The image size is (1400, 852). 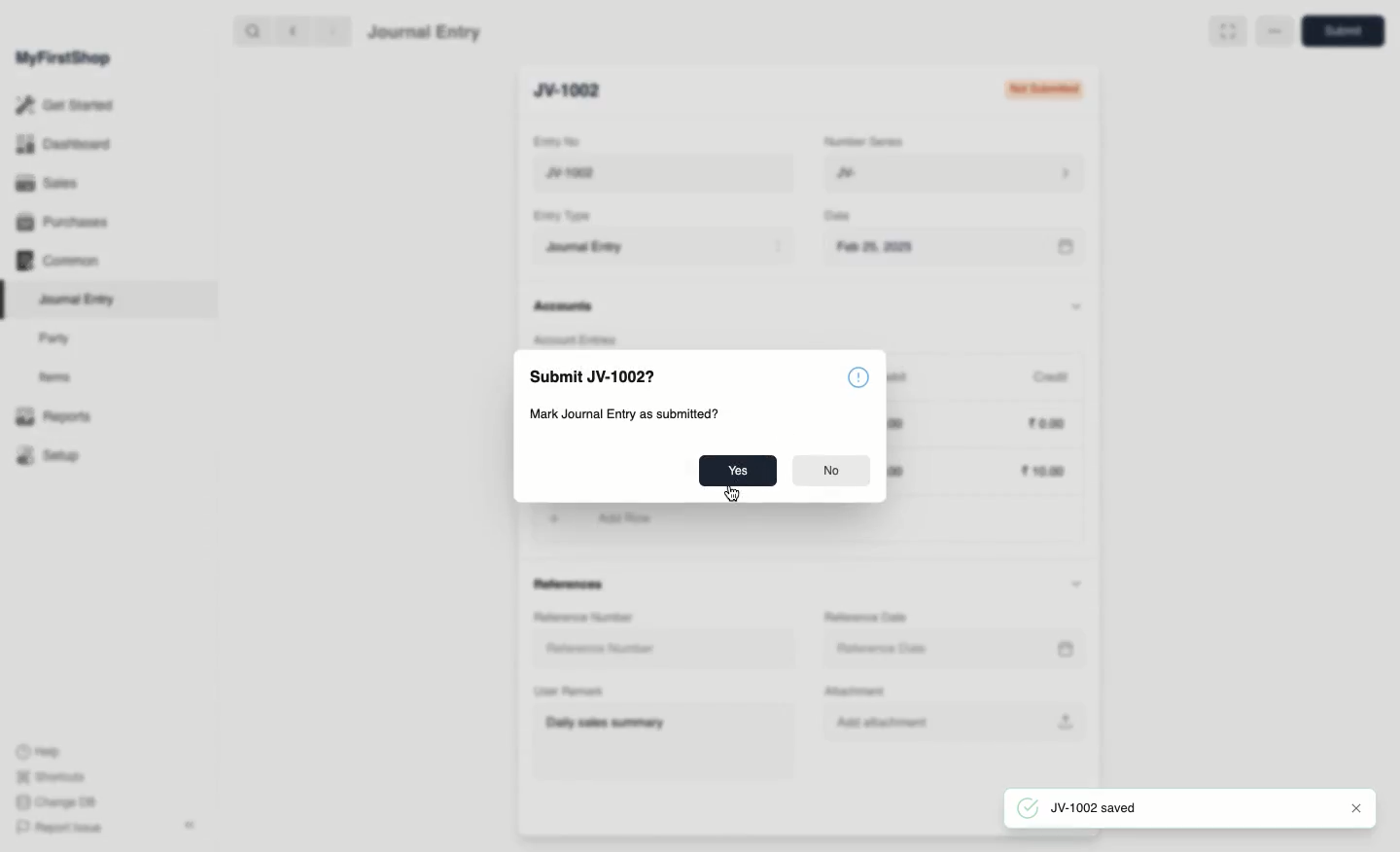 What do you see at coordinates (248, 31) in the screenshot?
I see `search` at bounding box center [248, 31].